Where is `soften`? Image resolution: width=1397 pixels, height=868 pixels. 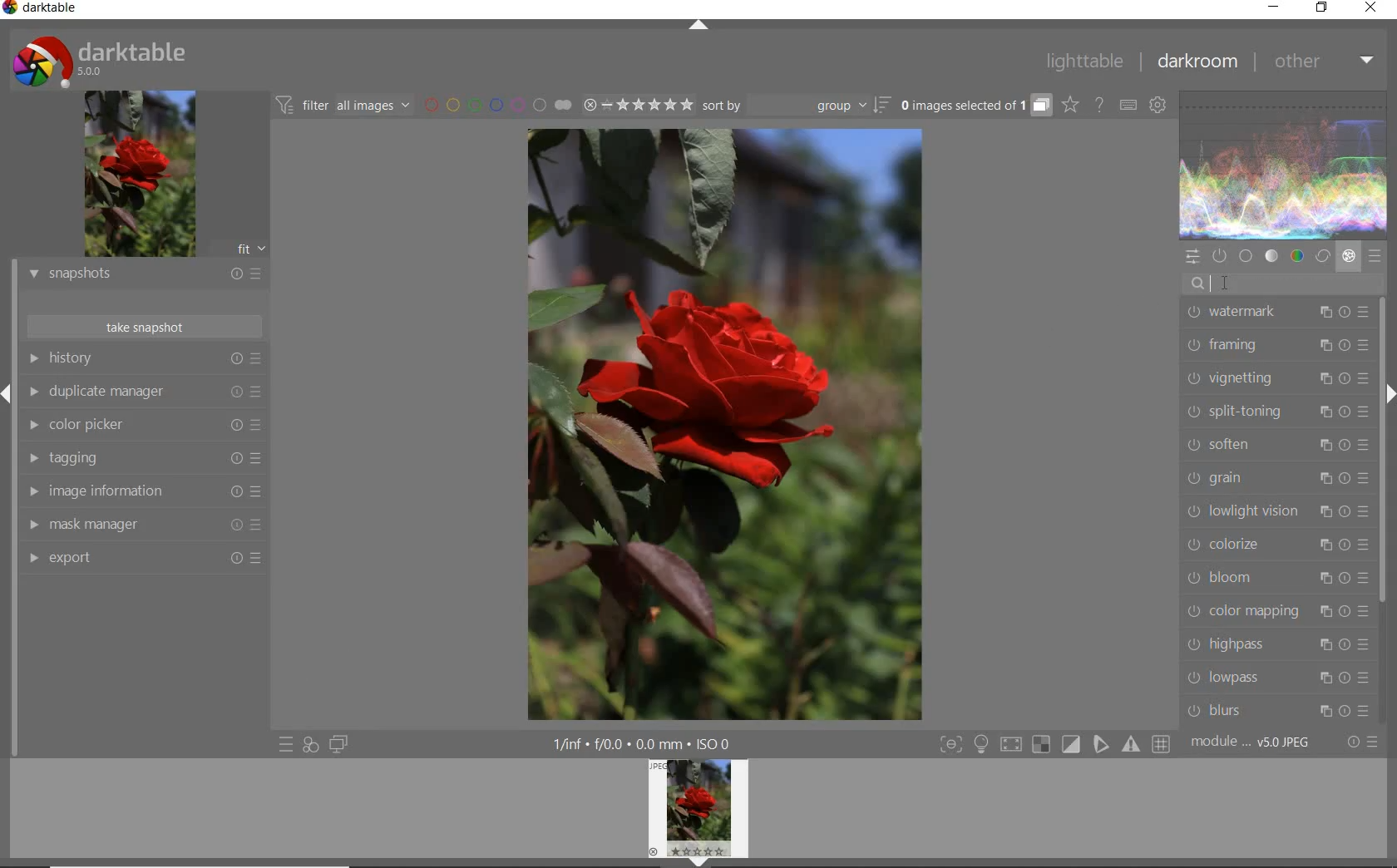
soften is located at coordinates (1274, 443).